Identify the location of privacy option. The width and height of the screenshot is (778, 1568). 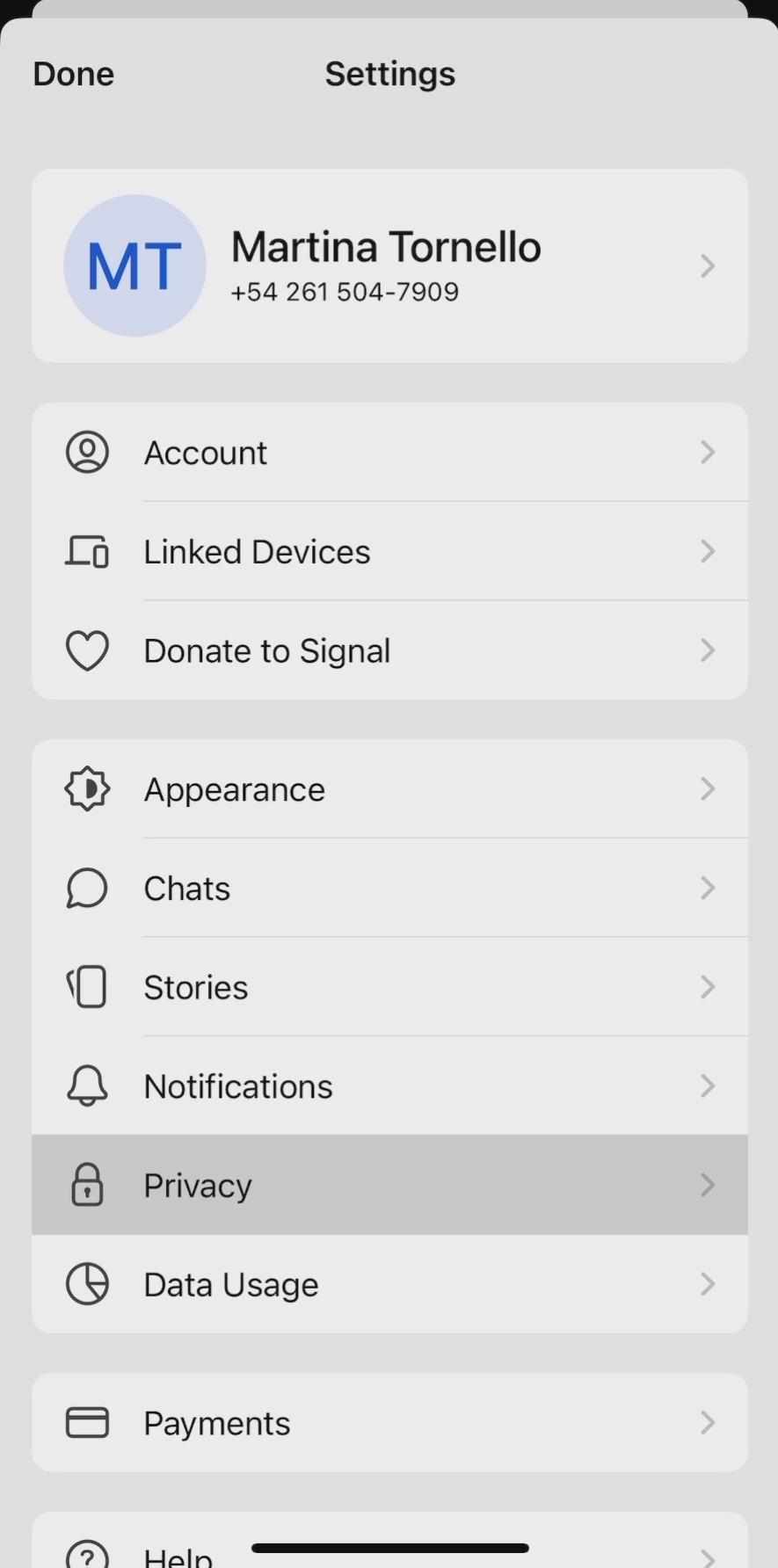
(390, 1187).